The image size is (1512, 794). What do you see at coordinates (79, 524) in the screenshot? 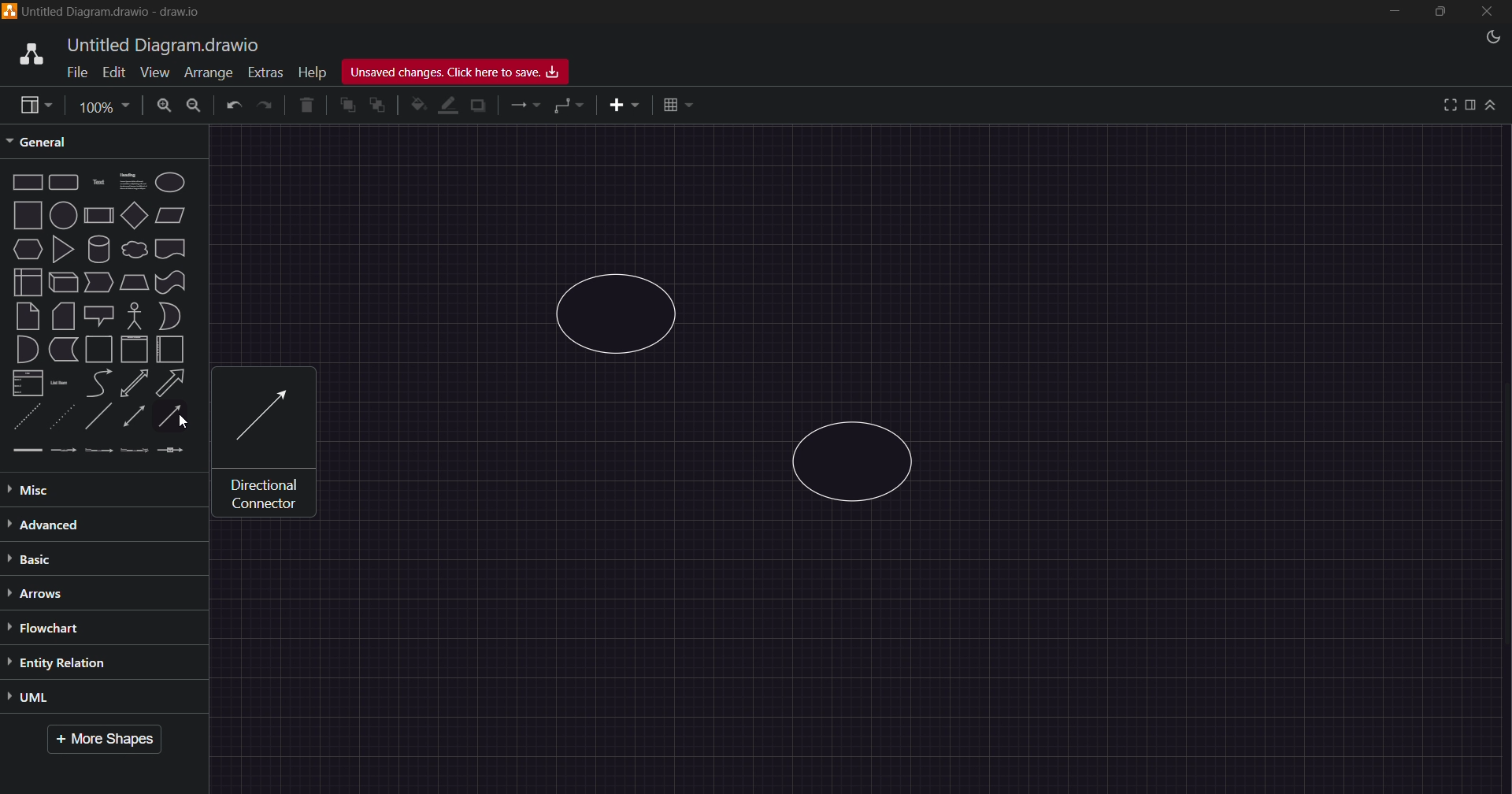
I see `Advanced` at bounding box center [79, 524].